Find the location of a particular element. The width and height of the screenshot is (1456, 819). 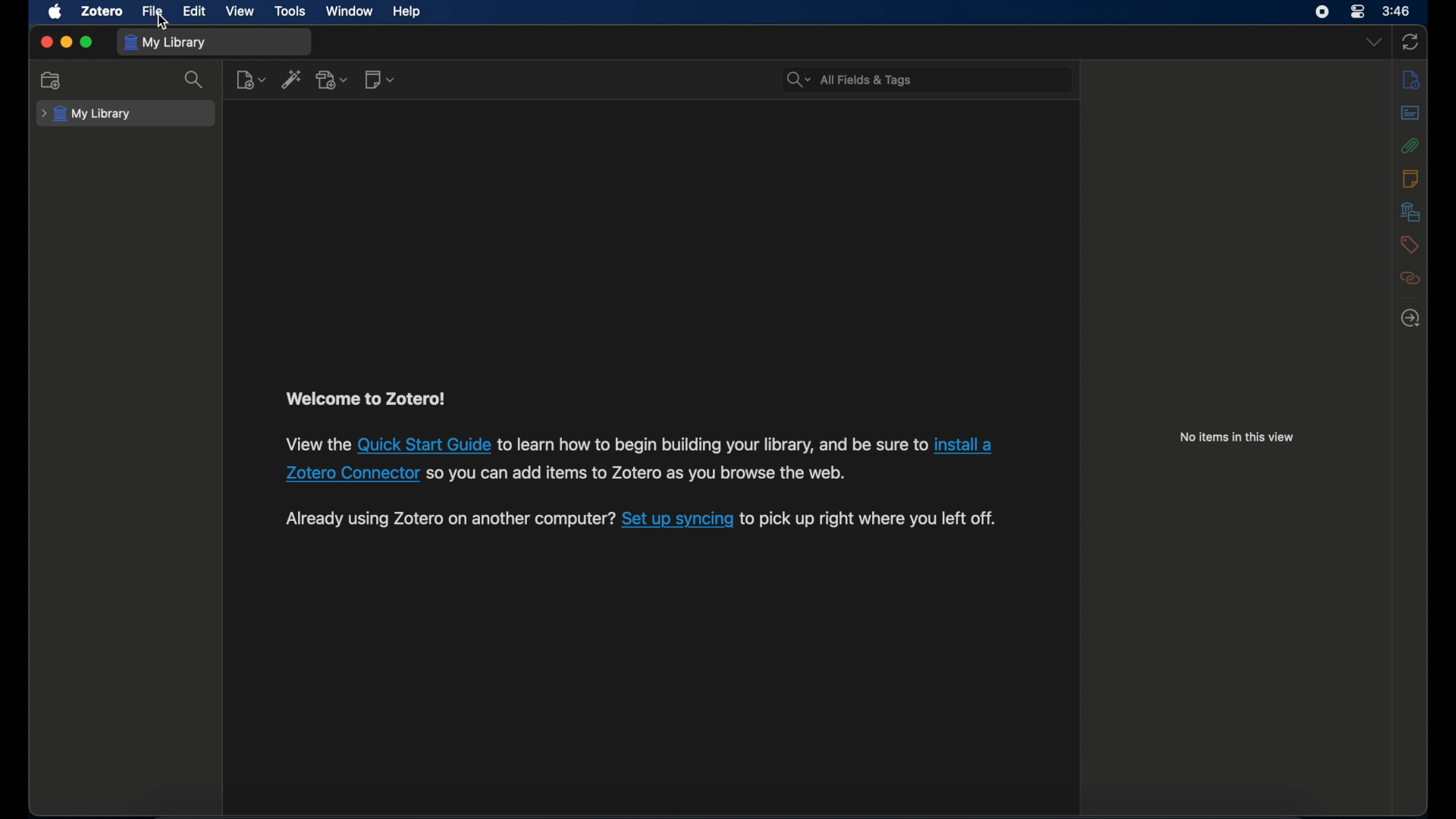

welcome to zotero is located at coordinates (366, 399).